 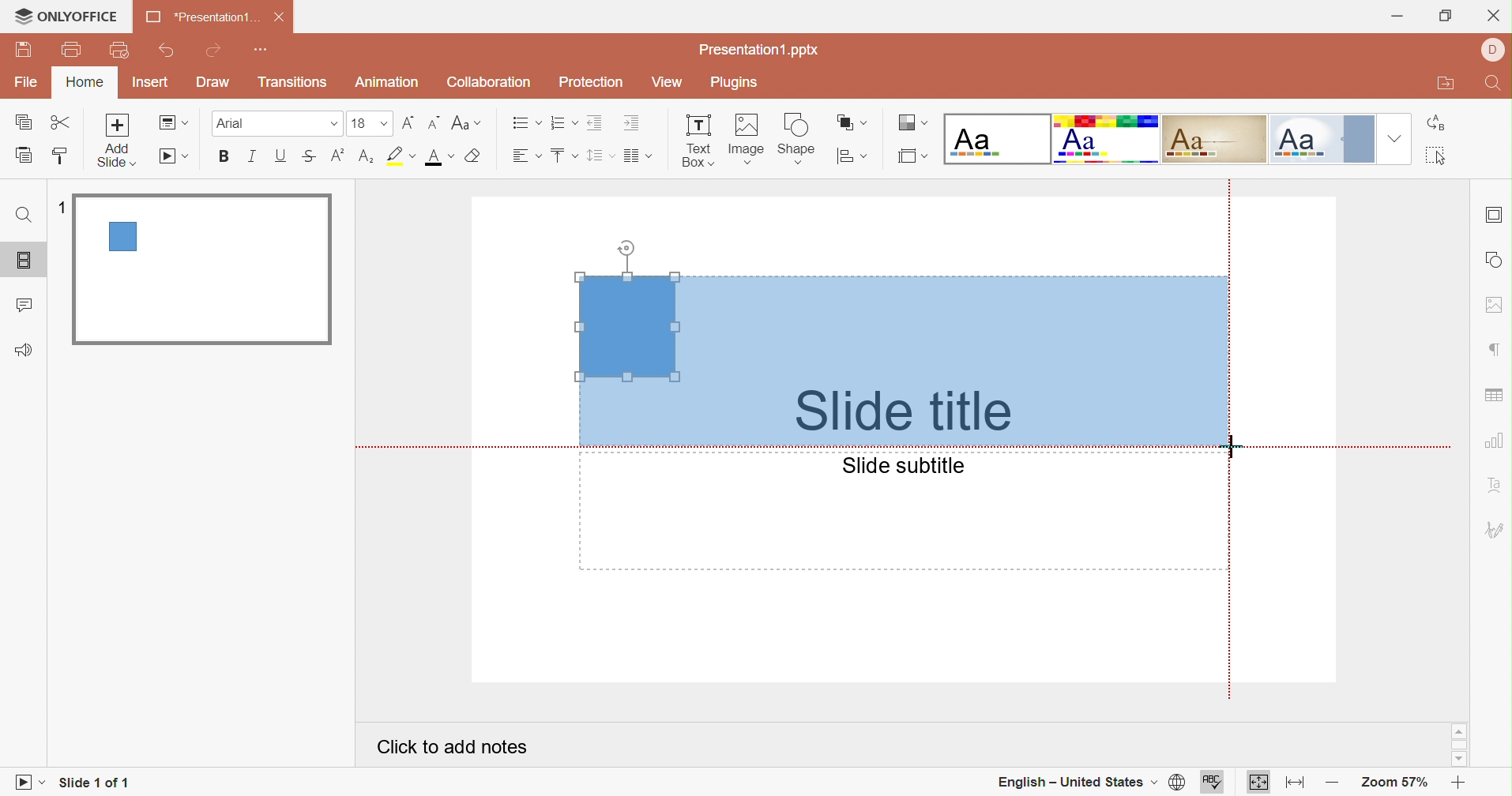 What do you see at coordinates (1107, 139) in the screenshot?
I see `Basic` at bounding box center [1107, 139].